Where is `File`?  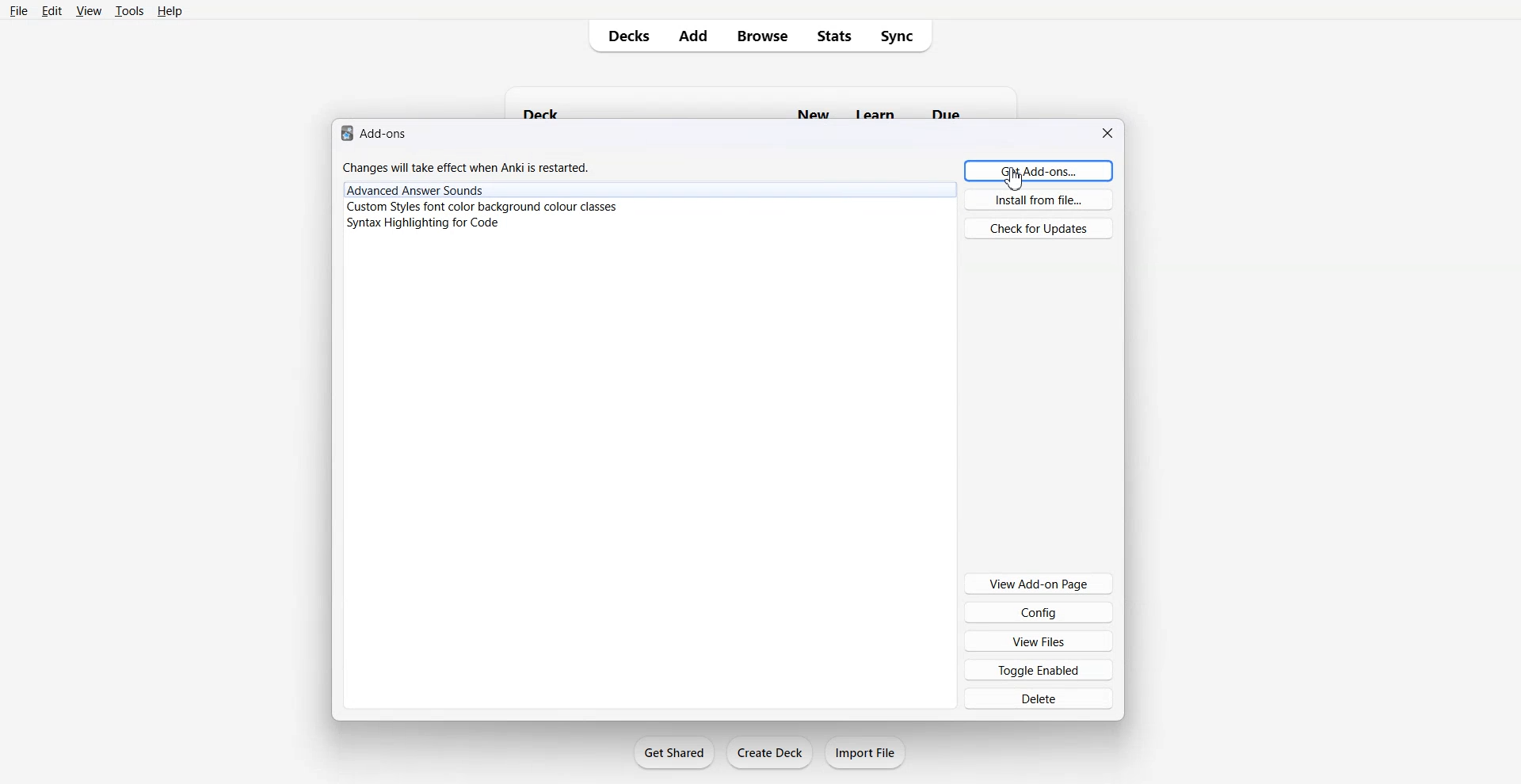 File is located at coordinates (20, 10).